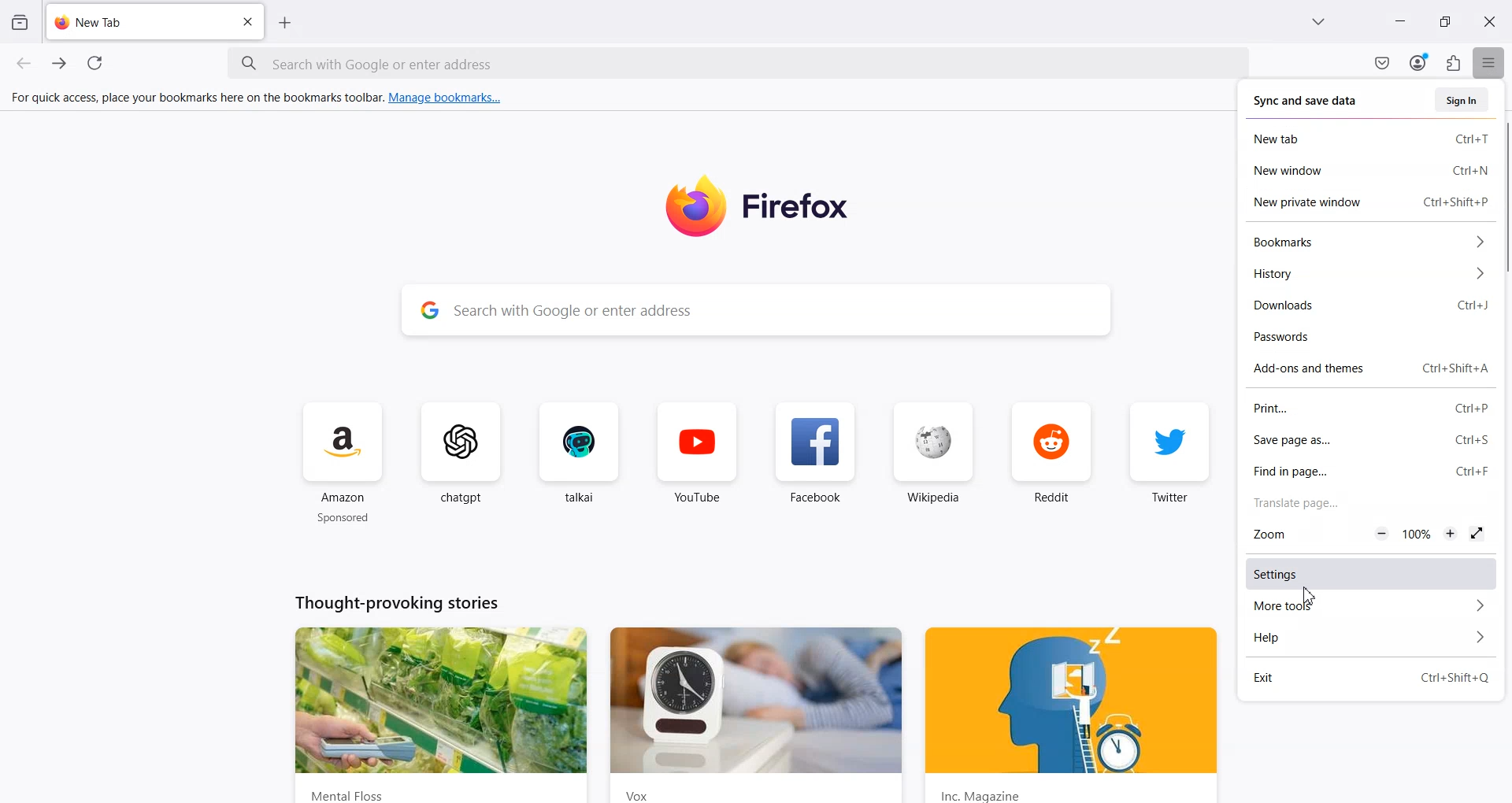 Image resolution: width=1512 pixels, height=803 pixels. What do you see at coordinates (399, 604) in the screenshot?
I see `Thought-provoking stories` at bounding box center [399, 604].